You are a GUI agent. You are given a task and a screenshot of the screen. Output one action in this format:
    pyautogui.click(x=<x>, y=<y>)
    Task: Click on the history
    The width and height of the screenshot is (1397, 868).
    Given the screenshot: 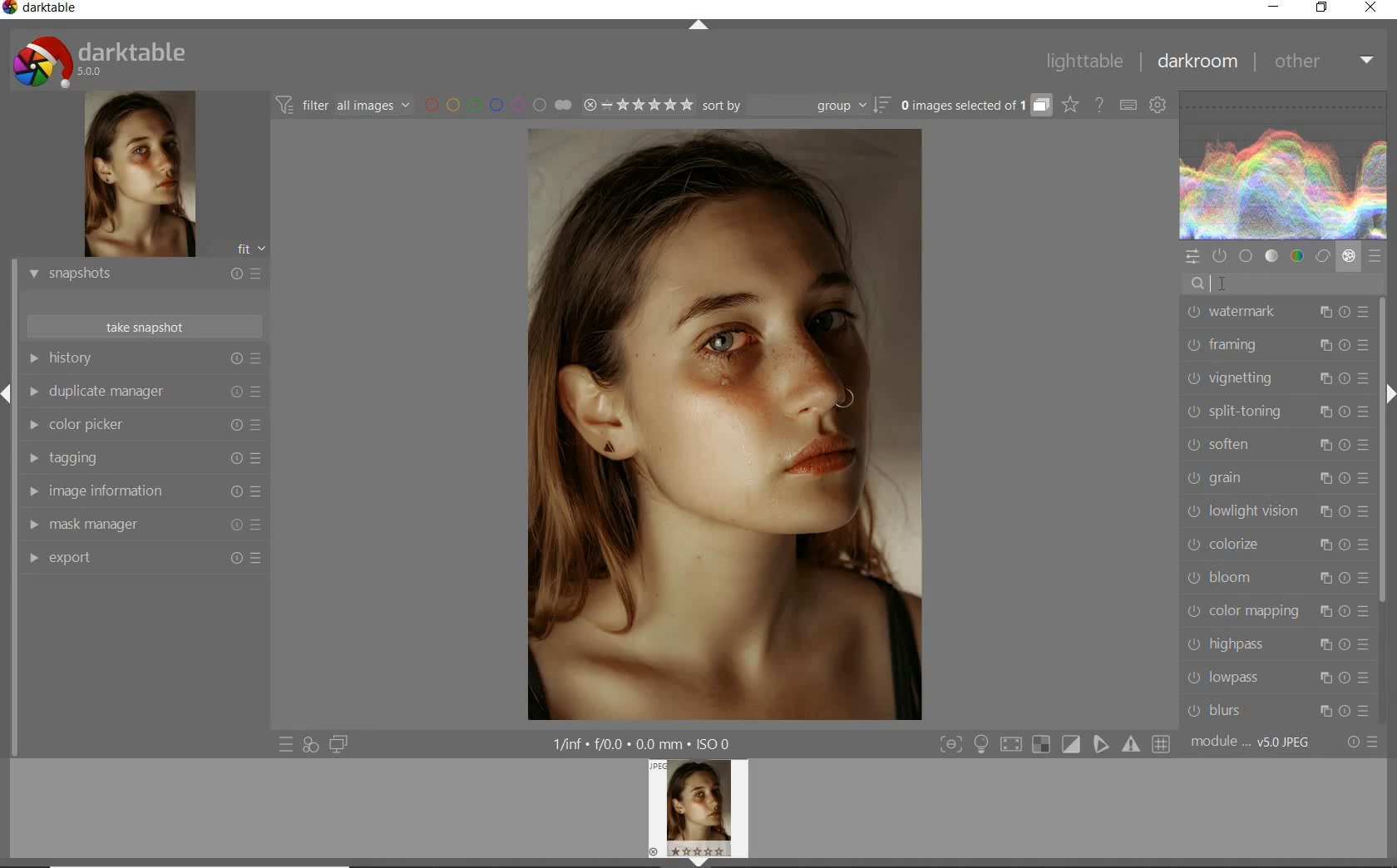 What is the action you would take?
    pyautogui.click(x=142, y=360)
    